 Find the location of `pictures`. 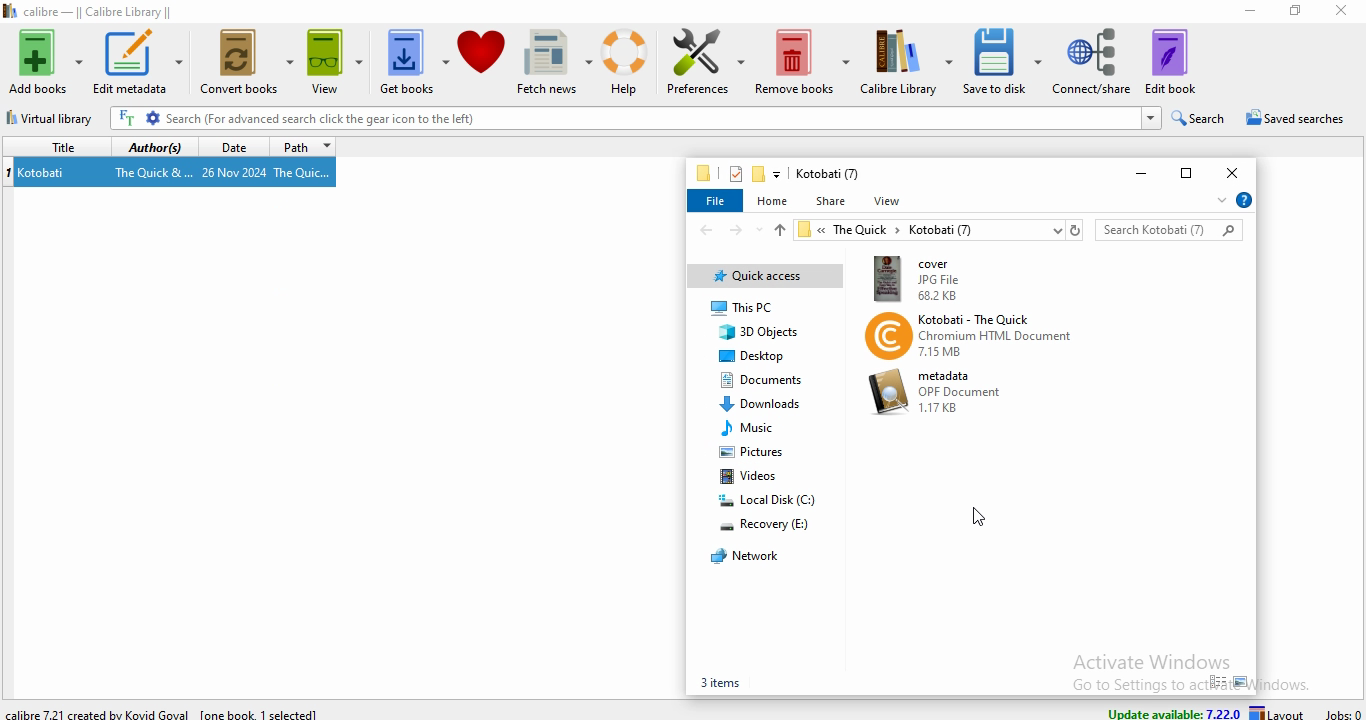

pictures is located at coordinates (752, 455).